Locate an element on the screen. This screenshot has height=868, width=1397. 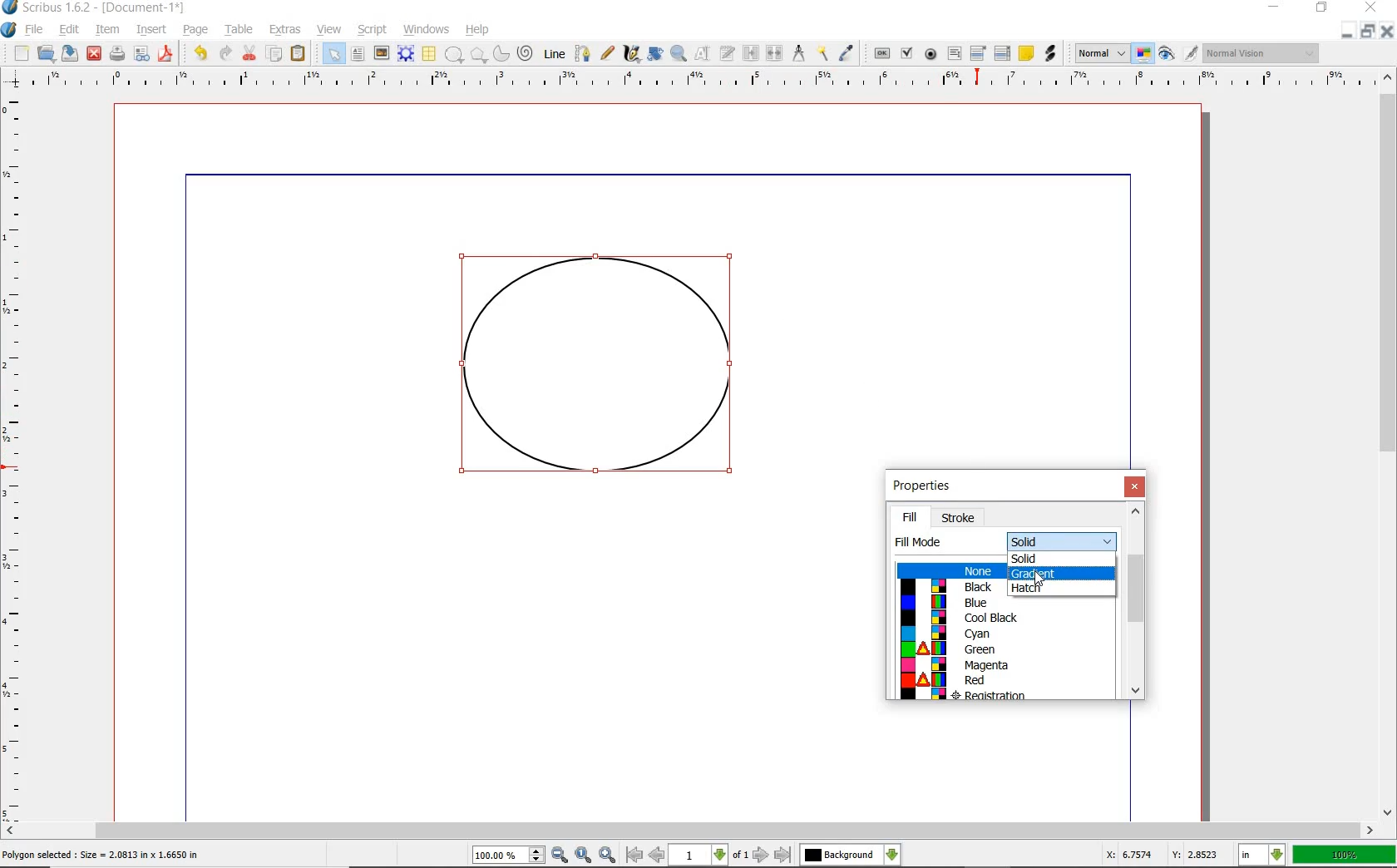
SYSTEM LOGO is located at coordinates (9, 30).